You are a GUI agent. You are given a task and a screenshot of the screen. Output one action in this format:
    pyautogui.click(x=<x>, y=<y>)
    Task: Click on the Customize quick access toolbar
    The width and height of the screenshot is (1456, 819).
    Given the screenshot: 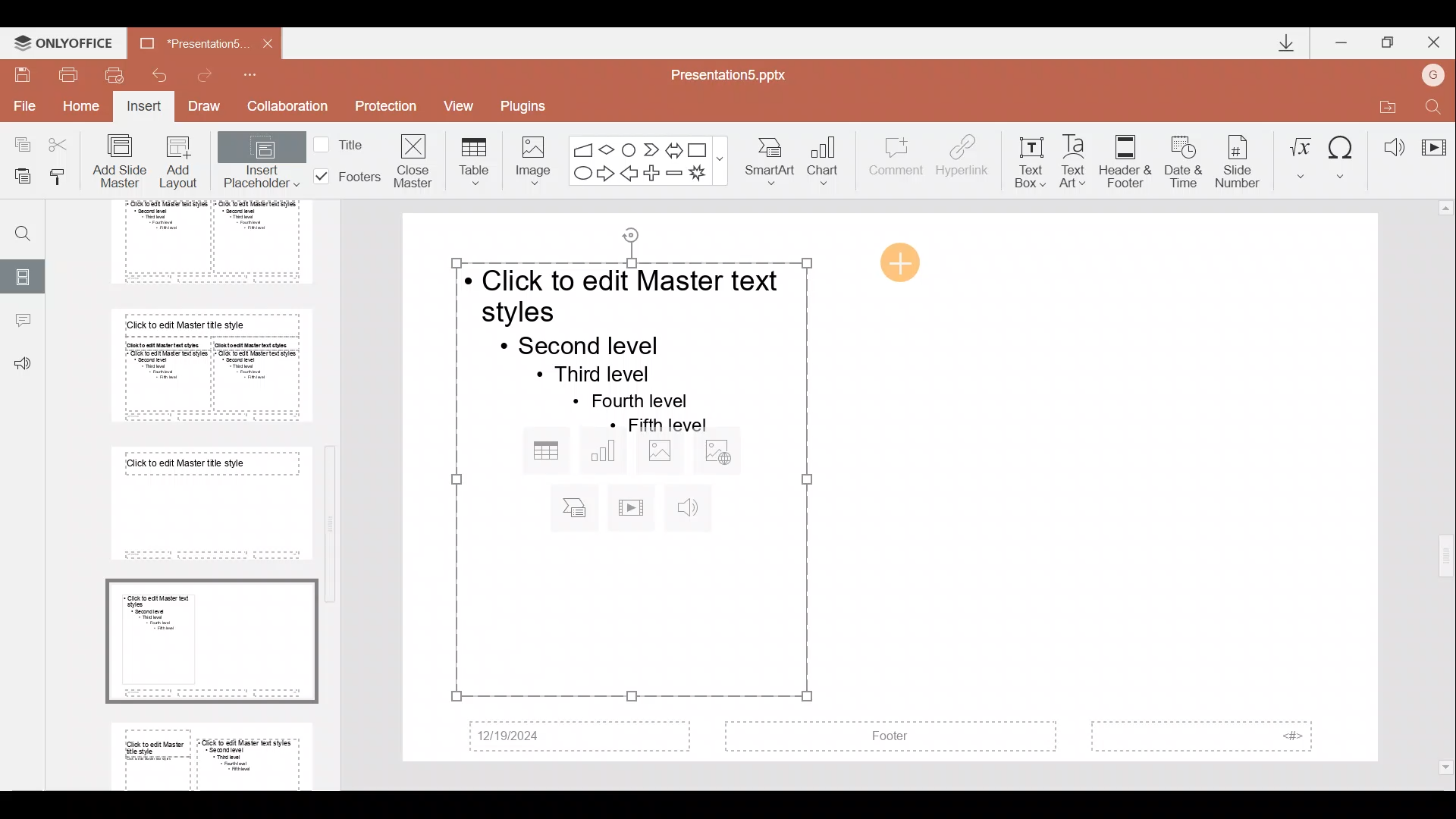 What is the action you would take?
    pyautogui.click(x=260, y=74)
    